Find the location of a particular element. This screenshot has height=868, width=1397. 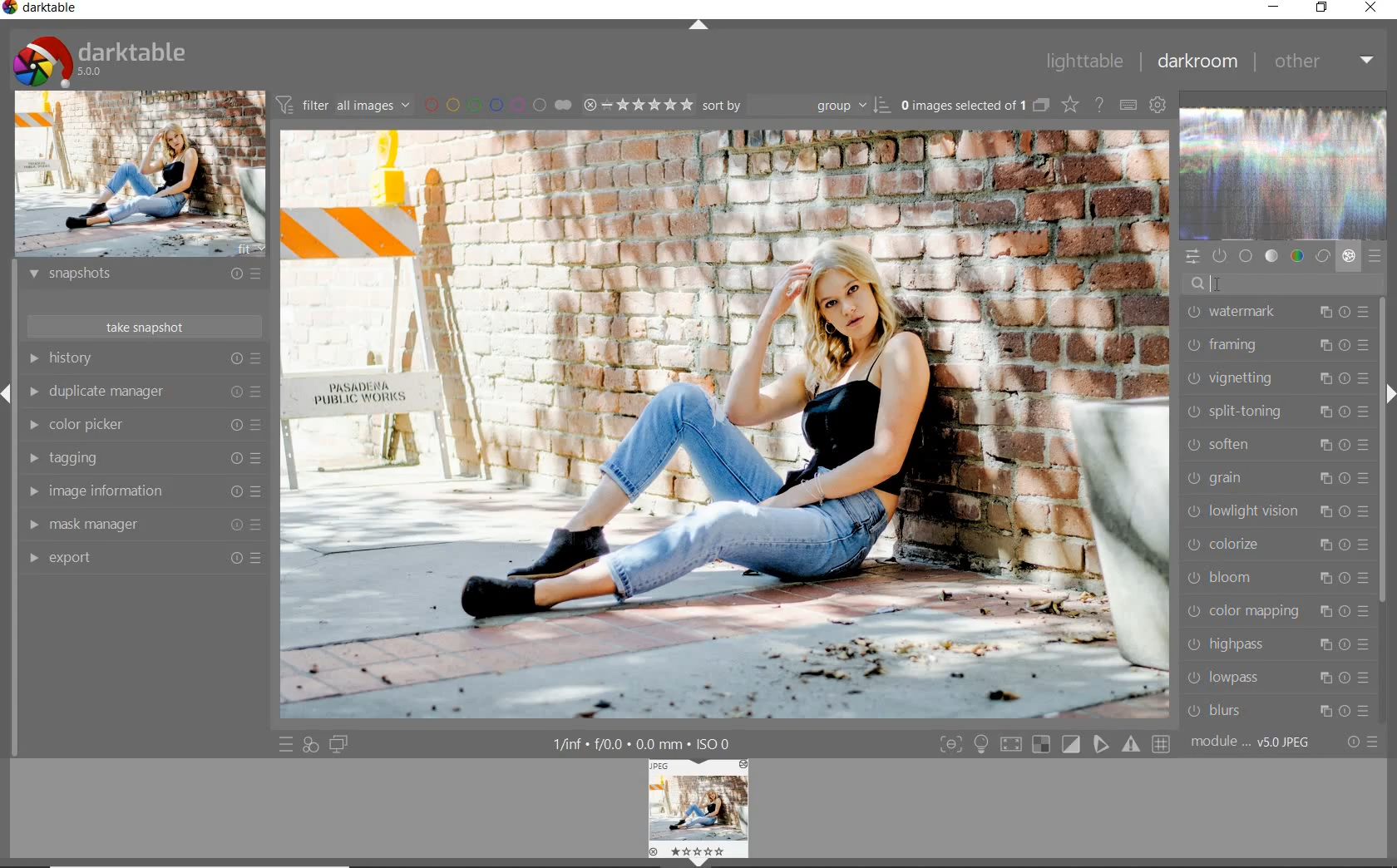

minimize is located at coordinates (1275, 7).